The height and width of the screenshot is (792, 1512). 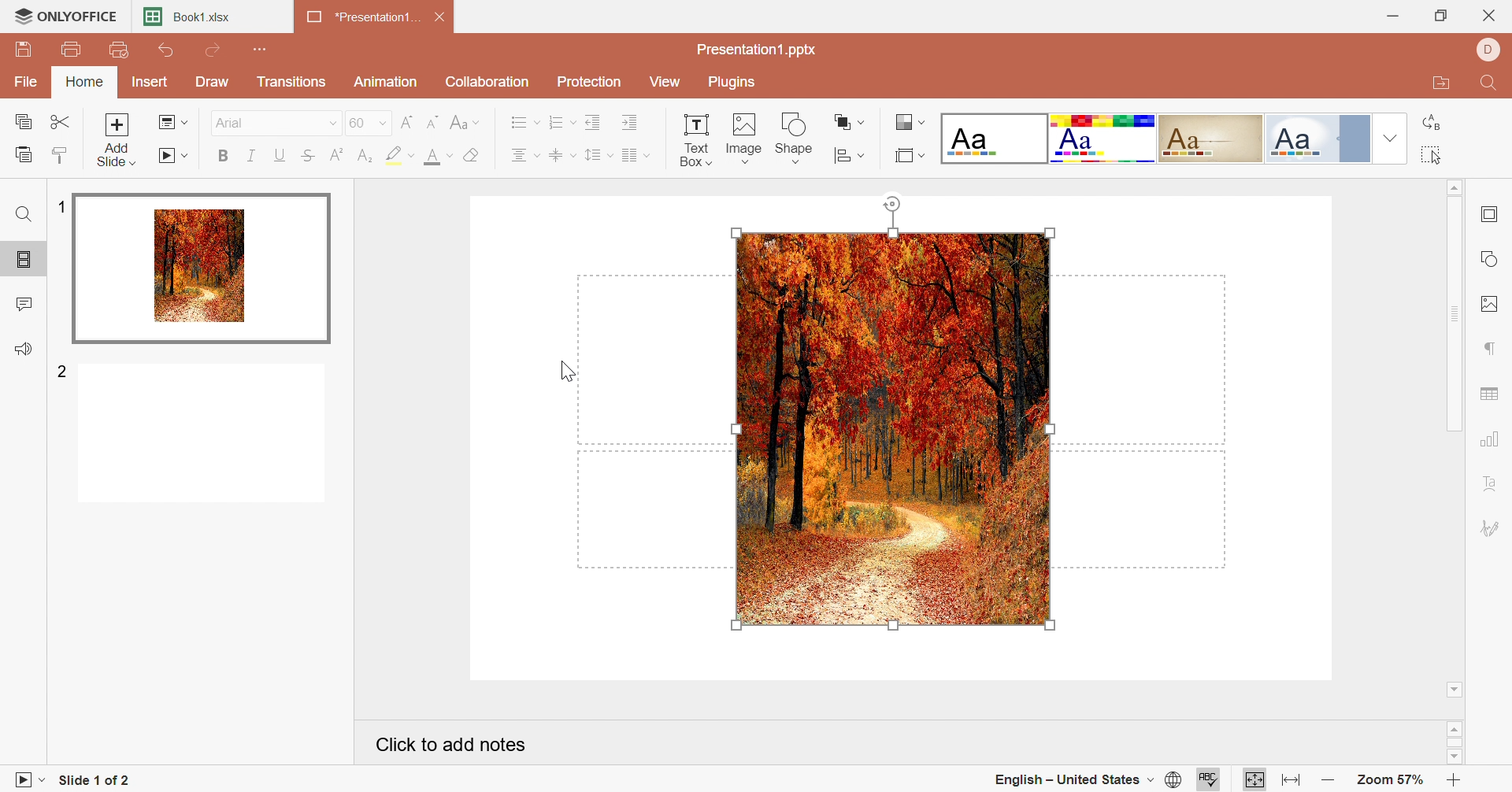 What do you see at coordinates (1494, 305) in the screenshot?
I see `image settings` at bounding box center [1494, 305].